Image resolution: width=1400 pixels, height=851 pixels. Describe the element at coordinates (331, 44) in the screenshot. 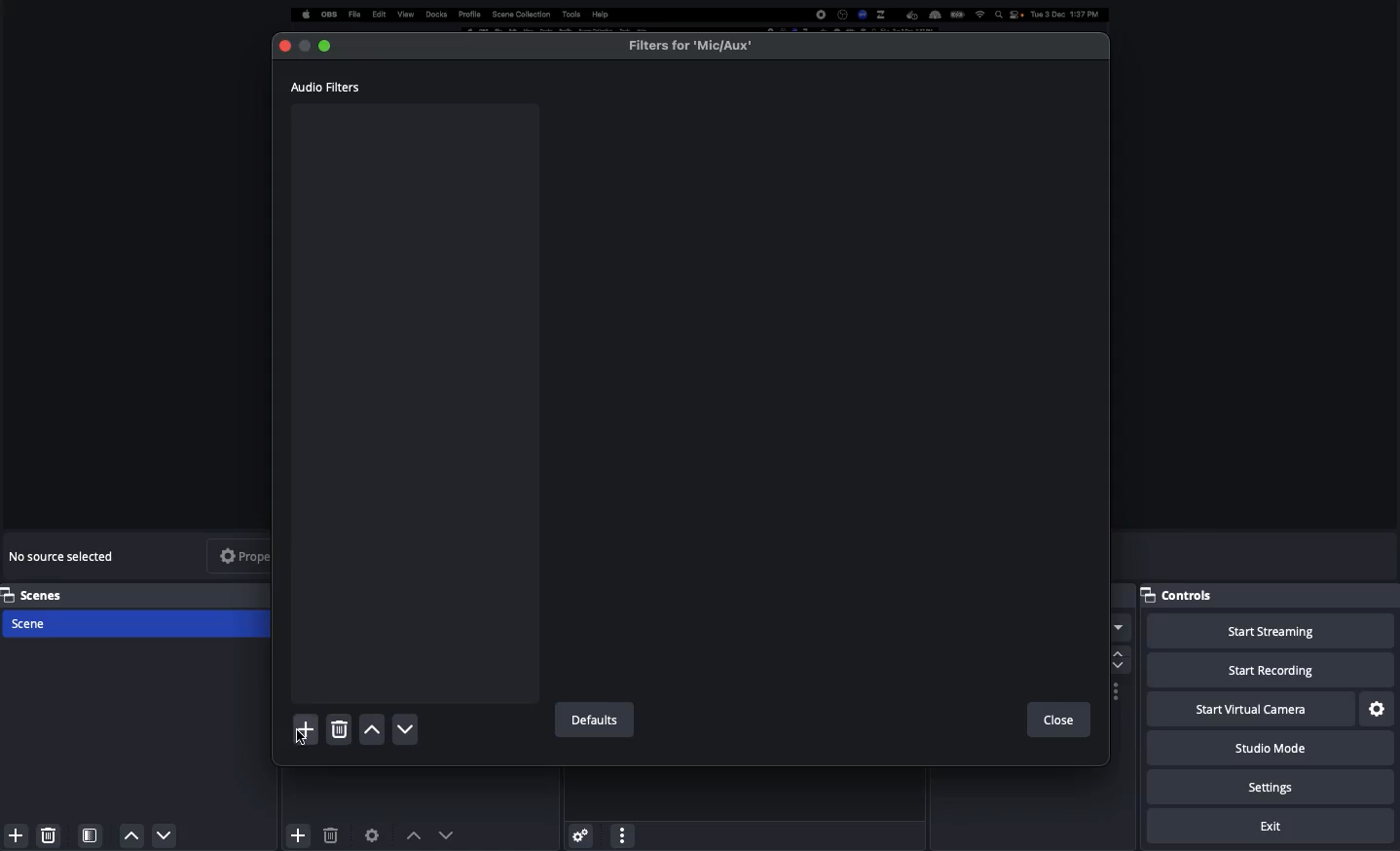

I see `Maximize` at that location.